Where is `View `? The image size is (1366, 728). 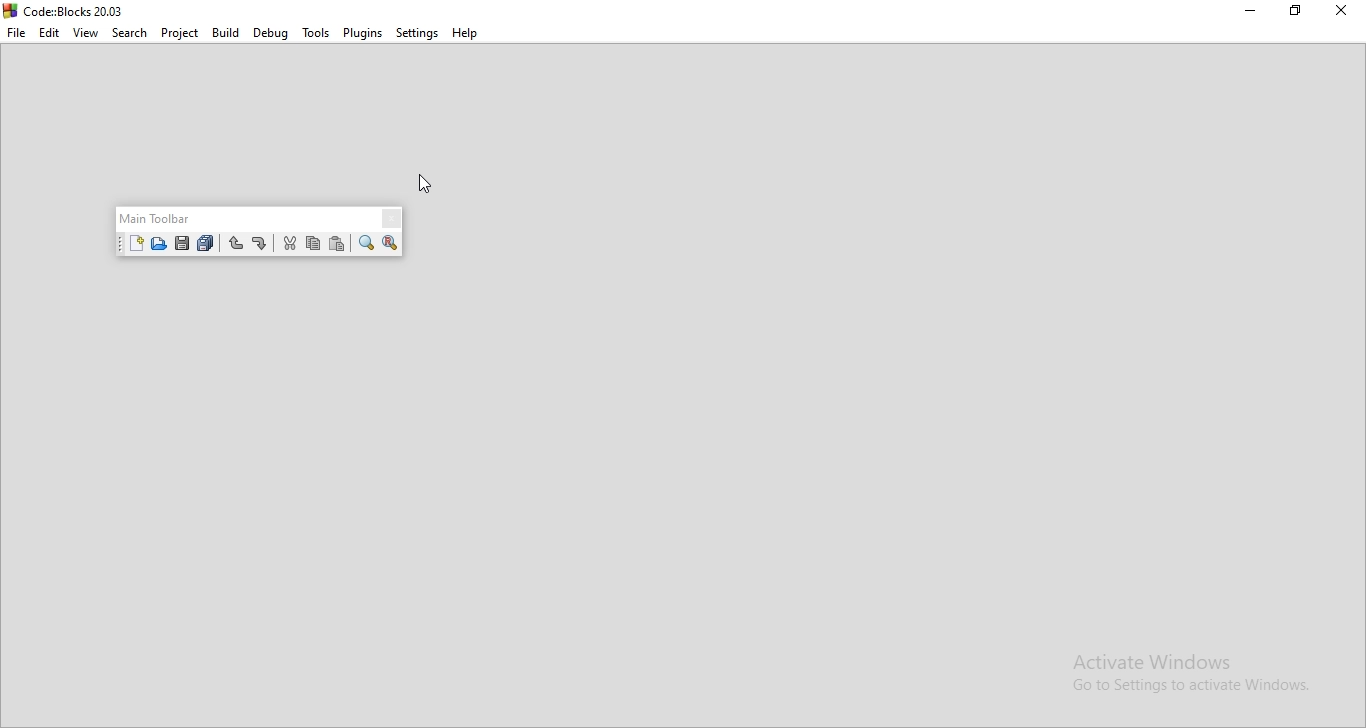 View  is located at coordinates (86, 34).